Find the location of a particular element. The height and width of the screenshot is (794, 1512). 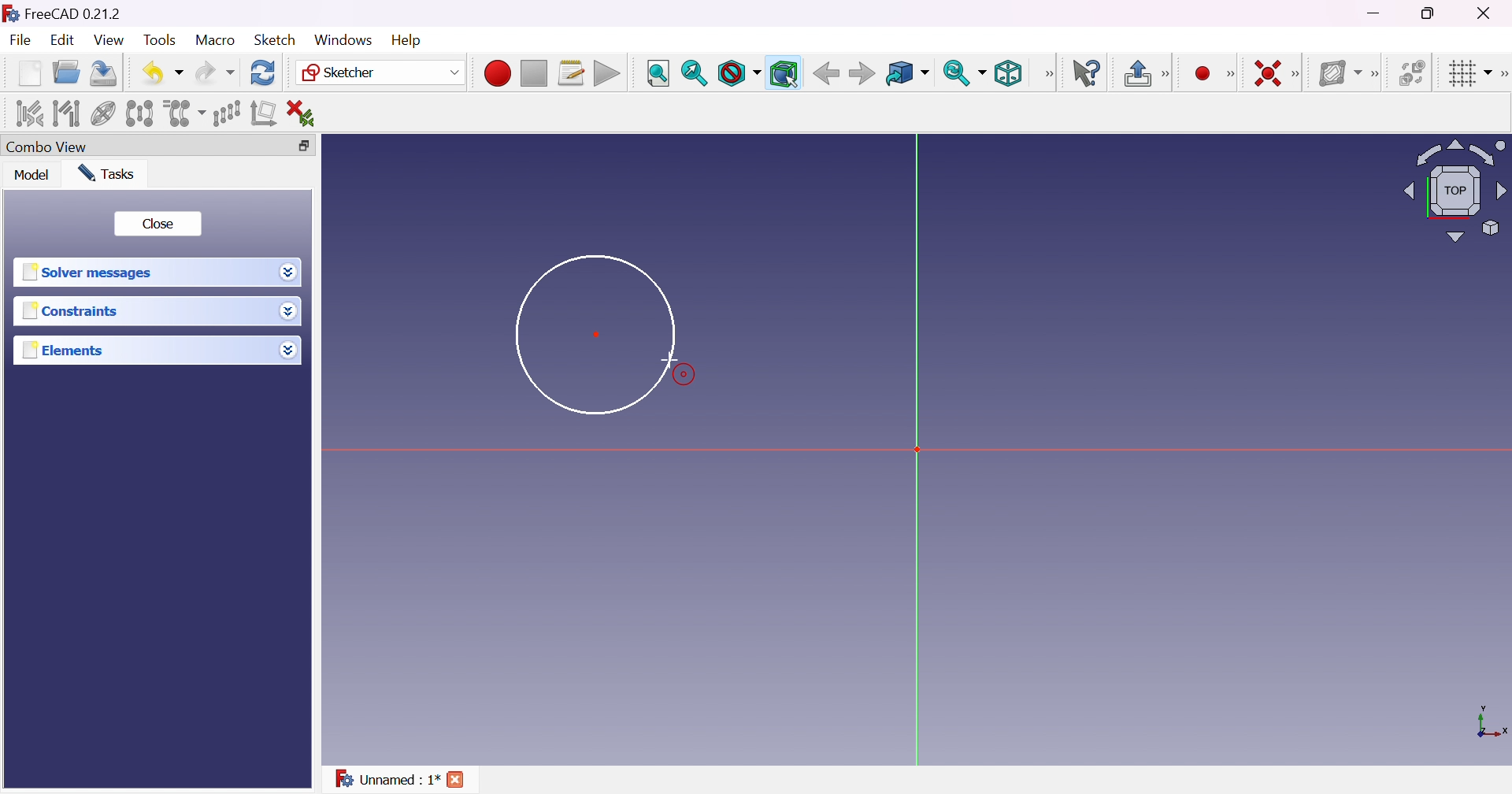

Tools is located at coordinates (161, 41).